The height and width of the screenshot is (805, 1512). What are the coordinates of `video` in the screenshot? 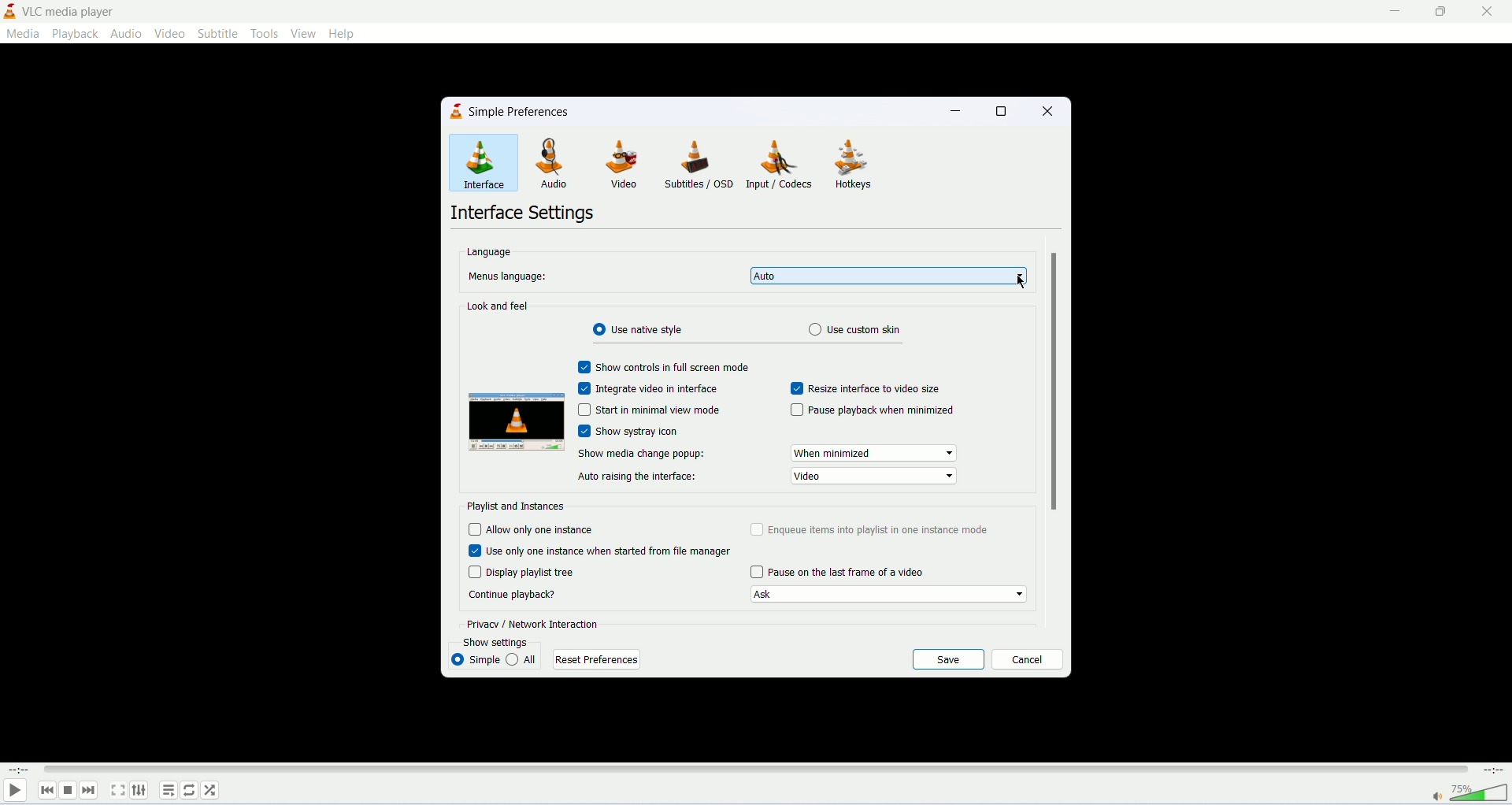 It's located at (626, 165).